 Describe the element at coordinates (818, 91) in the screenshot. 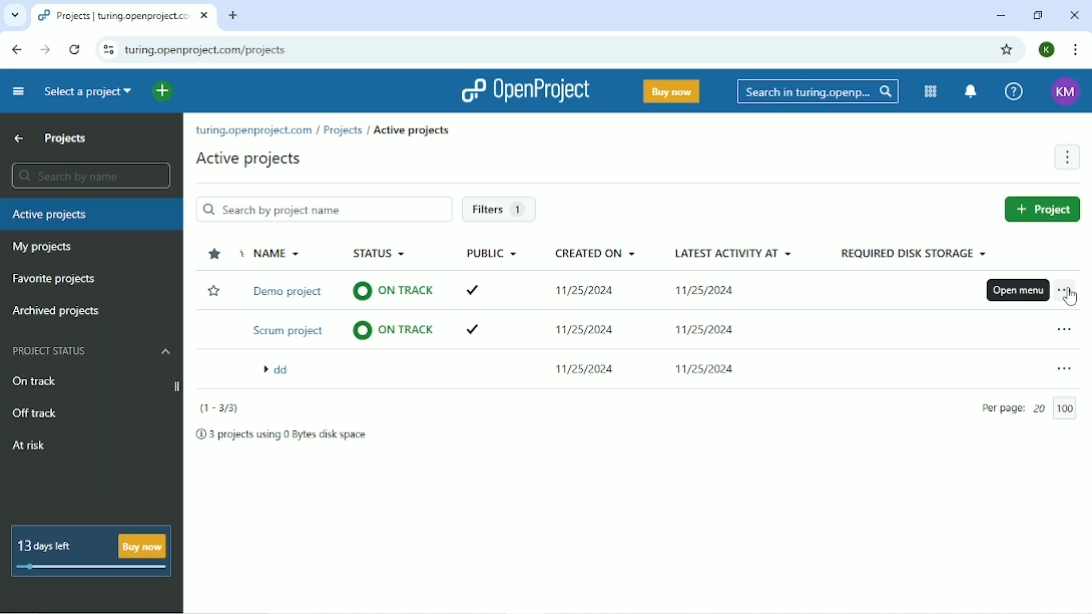

I see `Search in turin.openproject.com` at that location.